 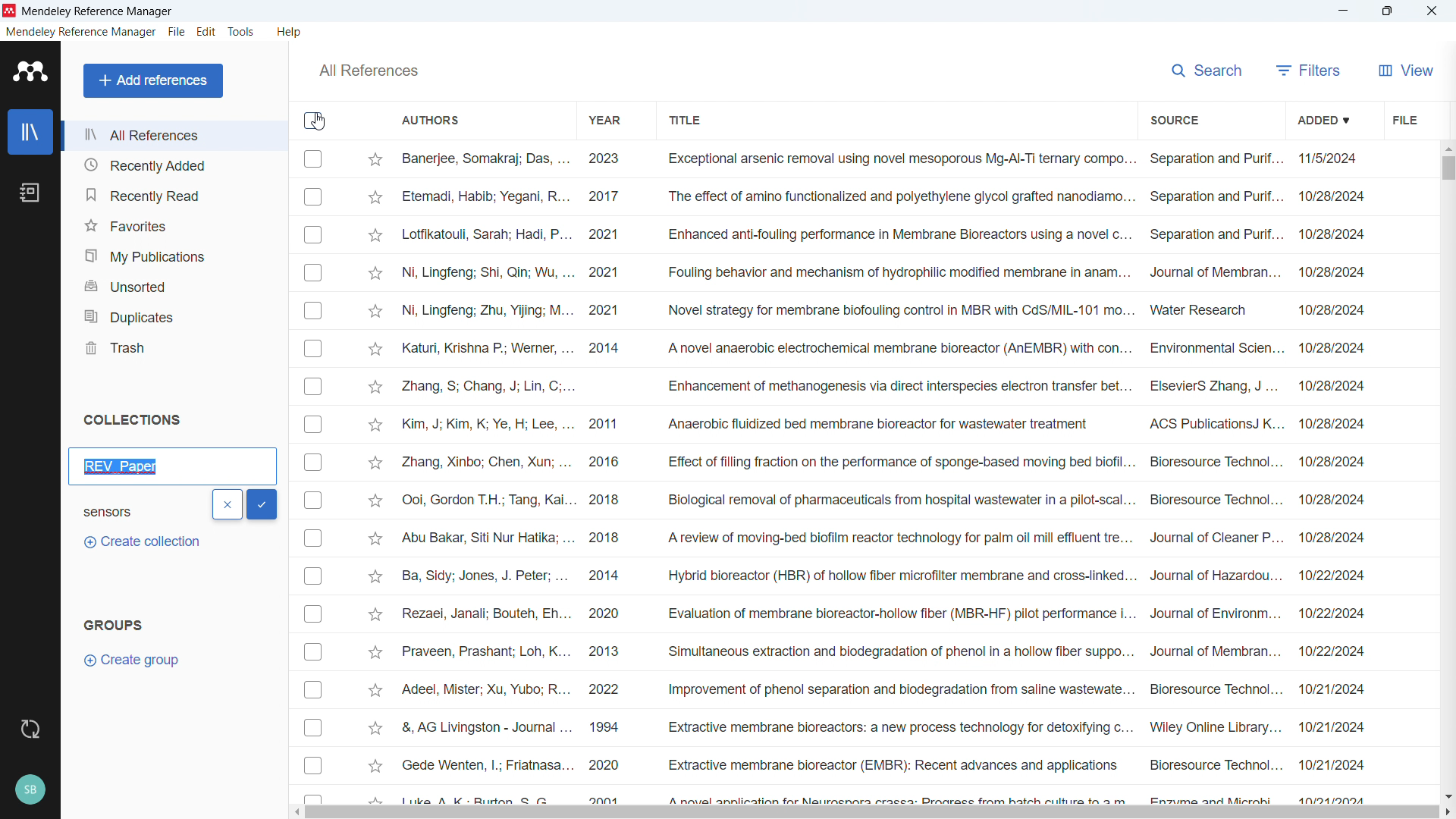 I want to click on Star mark respective publication, so click(x=375, y=198).